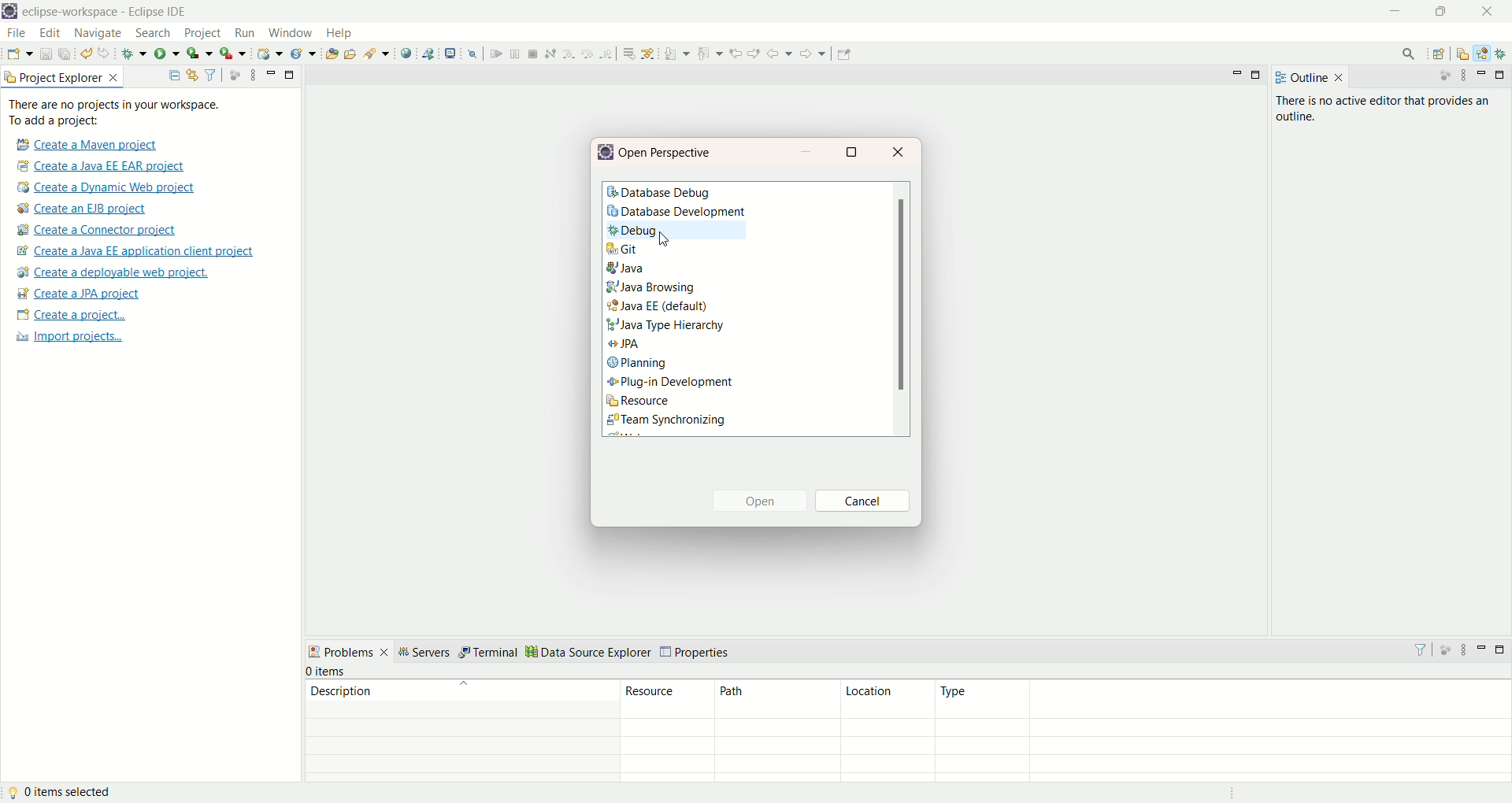 This screenshot has height=803, width=1512. I want to click on next annotation, so click(675, 53).